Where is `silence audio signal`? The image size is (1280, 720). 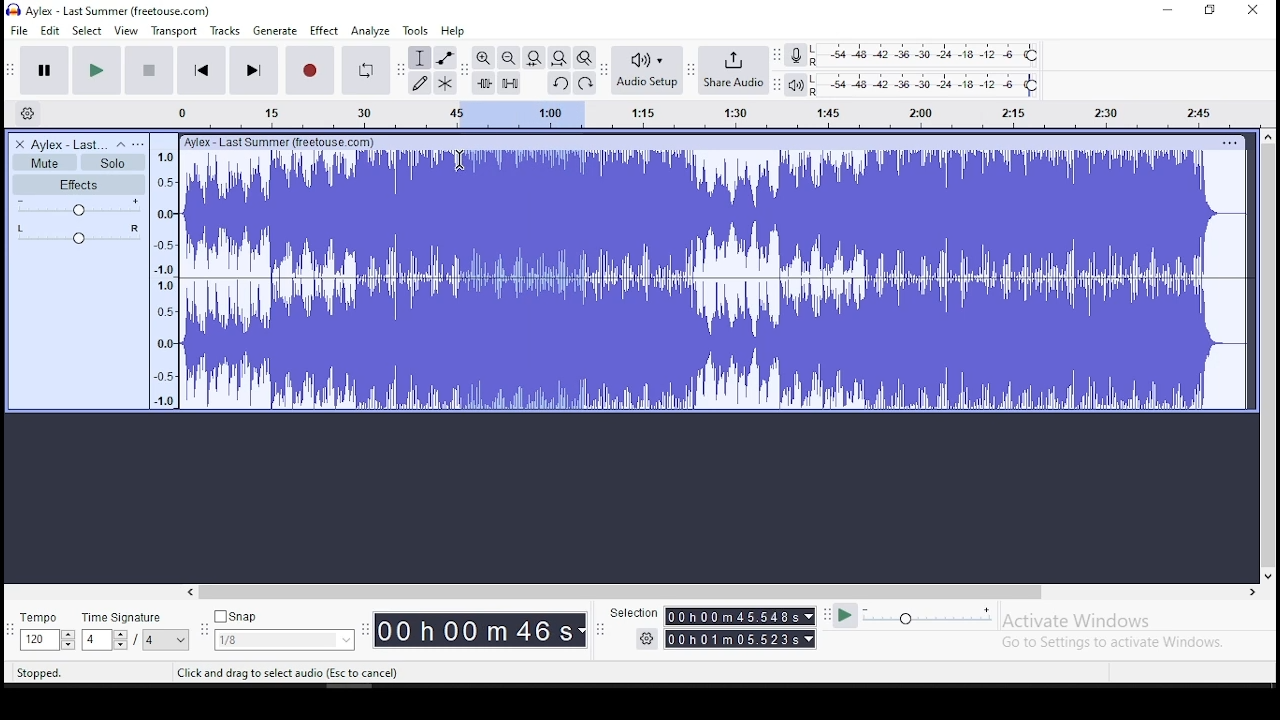
silence audio signal is located at coordinates (509, 81).